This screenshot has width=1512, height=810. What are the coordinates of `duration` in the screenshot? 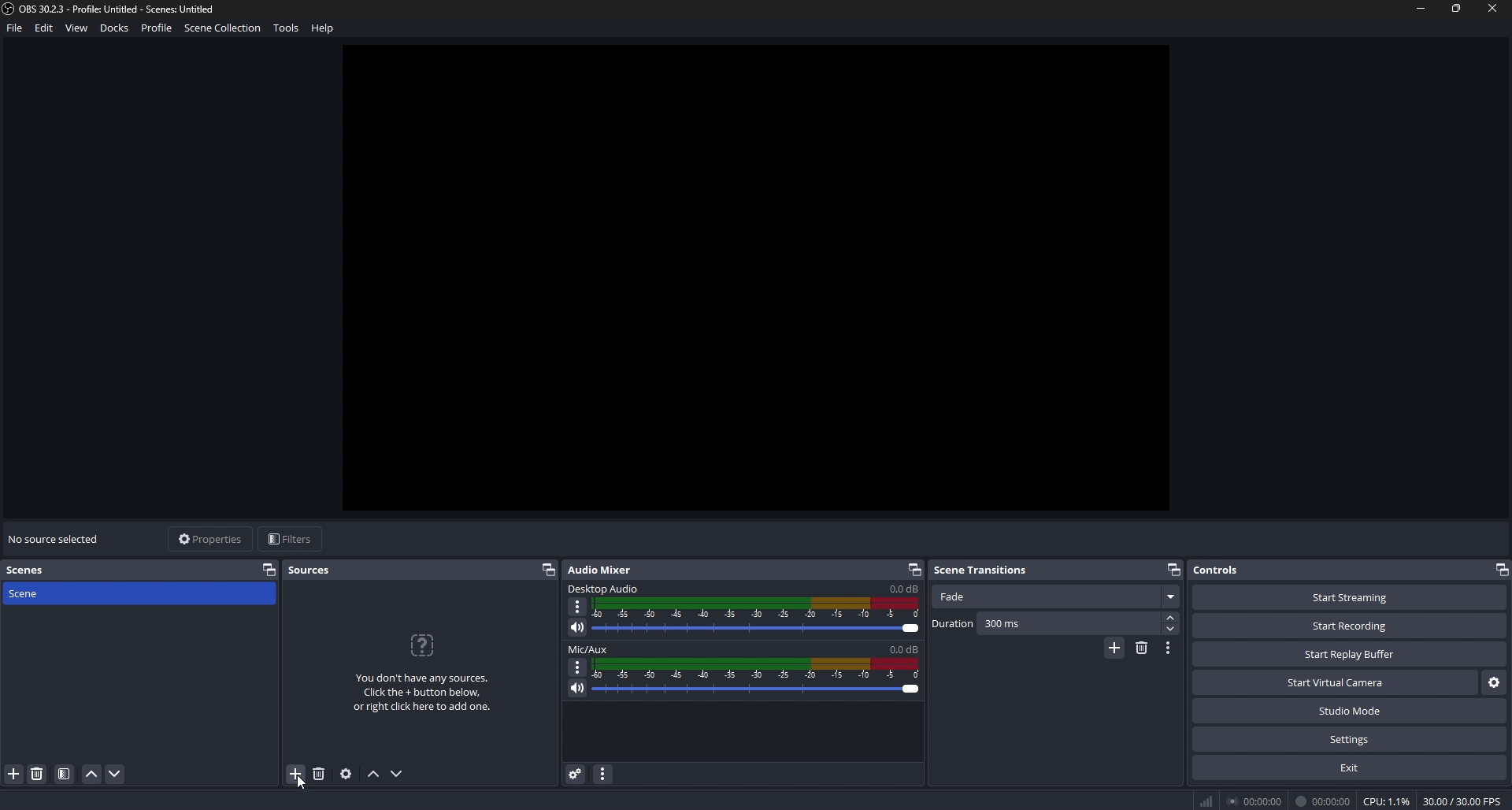 It's located at (1047, 623).